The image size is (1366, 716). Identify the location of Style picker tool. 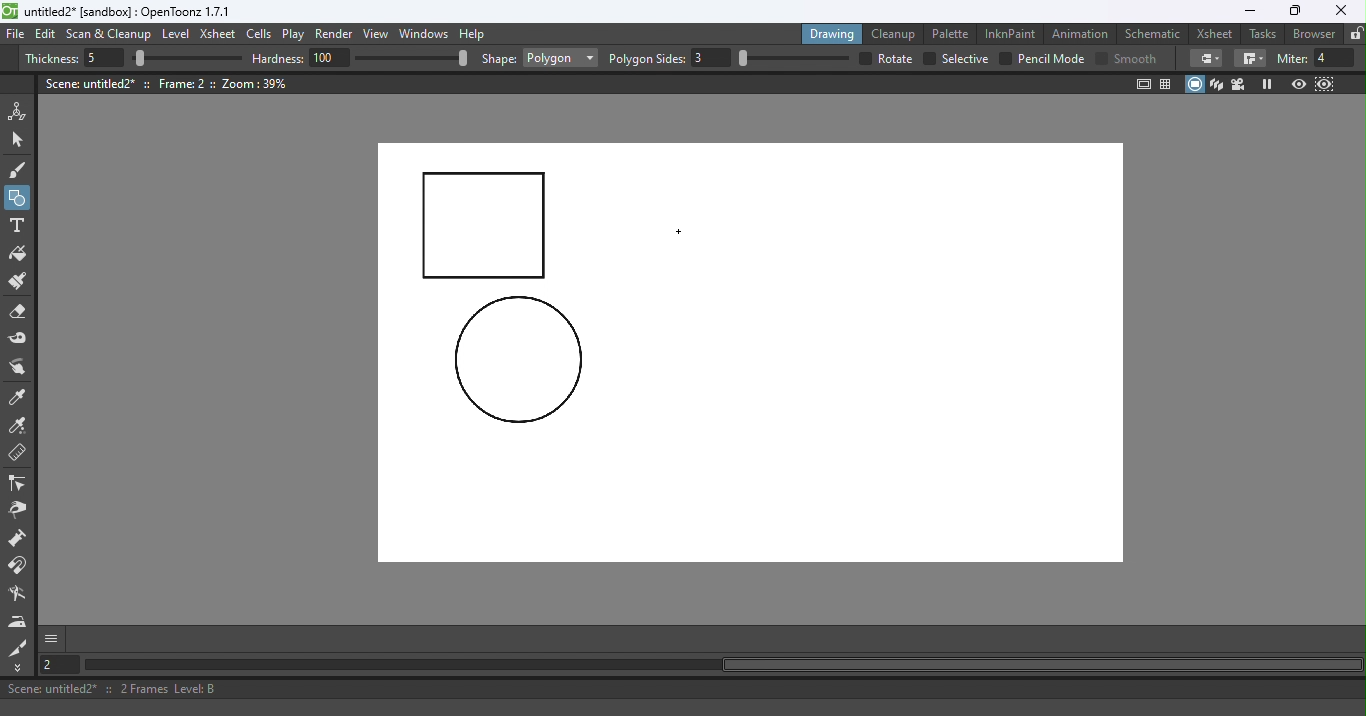
(19, 398).